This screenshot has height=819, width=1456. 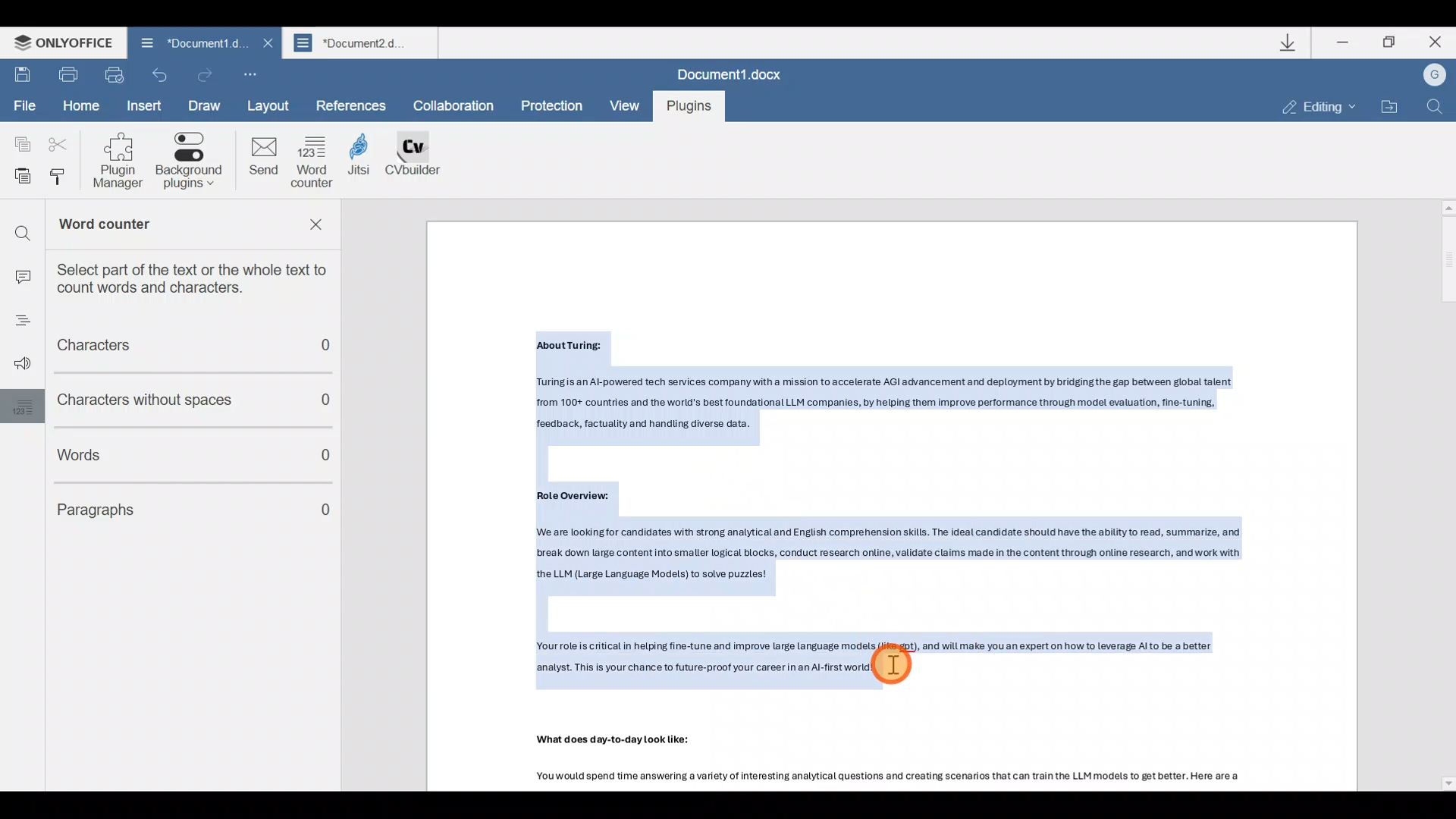 I want to click on CV builder, so click(x=422, y=162).